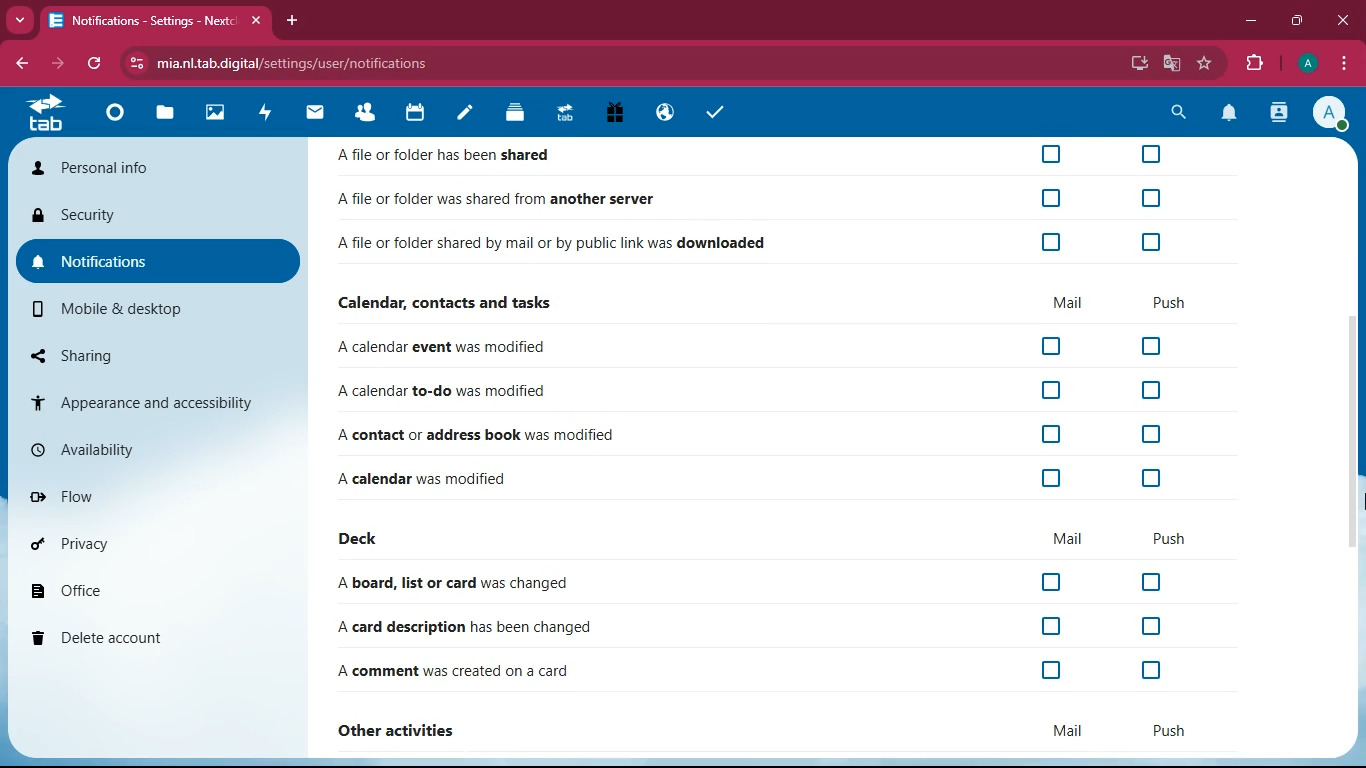 Image resolution: width=1366 pixels, height=768 pixels. Describe the element at coordinates (1151, 240) in the screenshot. I see `off` at that location.